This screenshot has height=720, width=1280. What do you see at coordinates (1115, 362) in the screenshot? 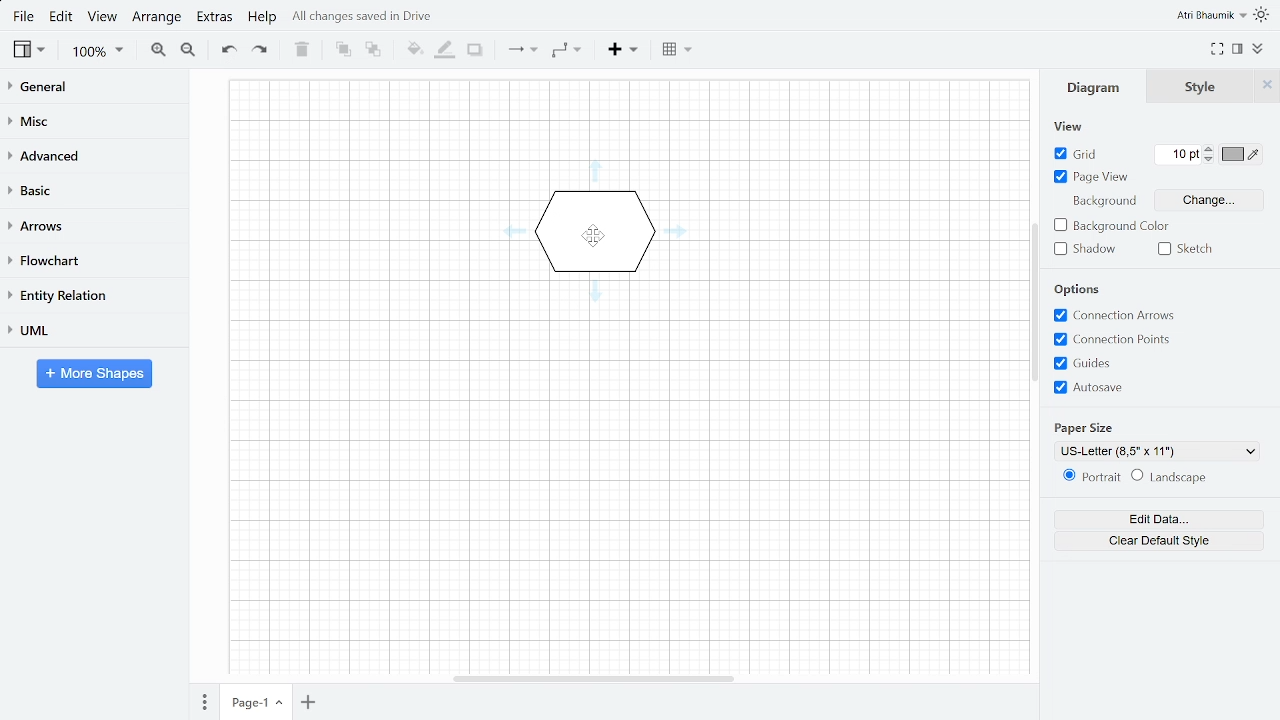
I see `Guides` at bounding box center [1115, 362].